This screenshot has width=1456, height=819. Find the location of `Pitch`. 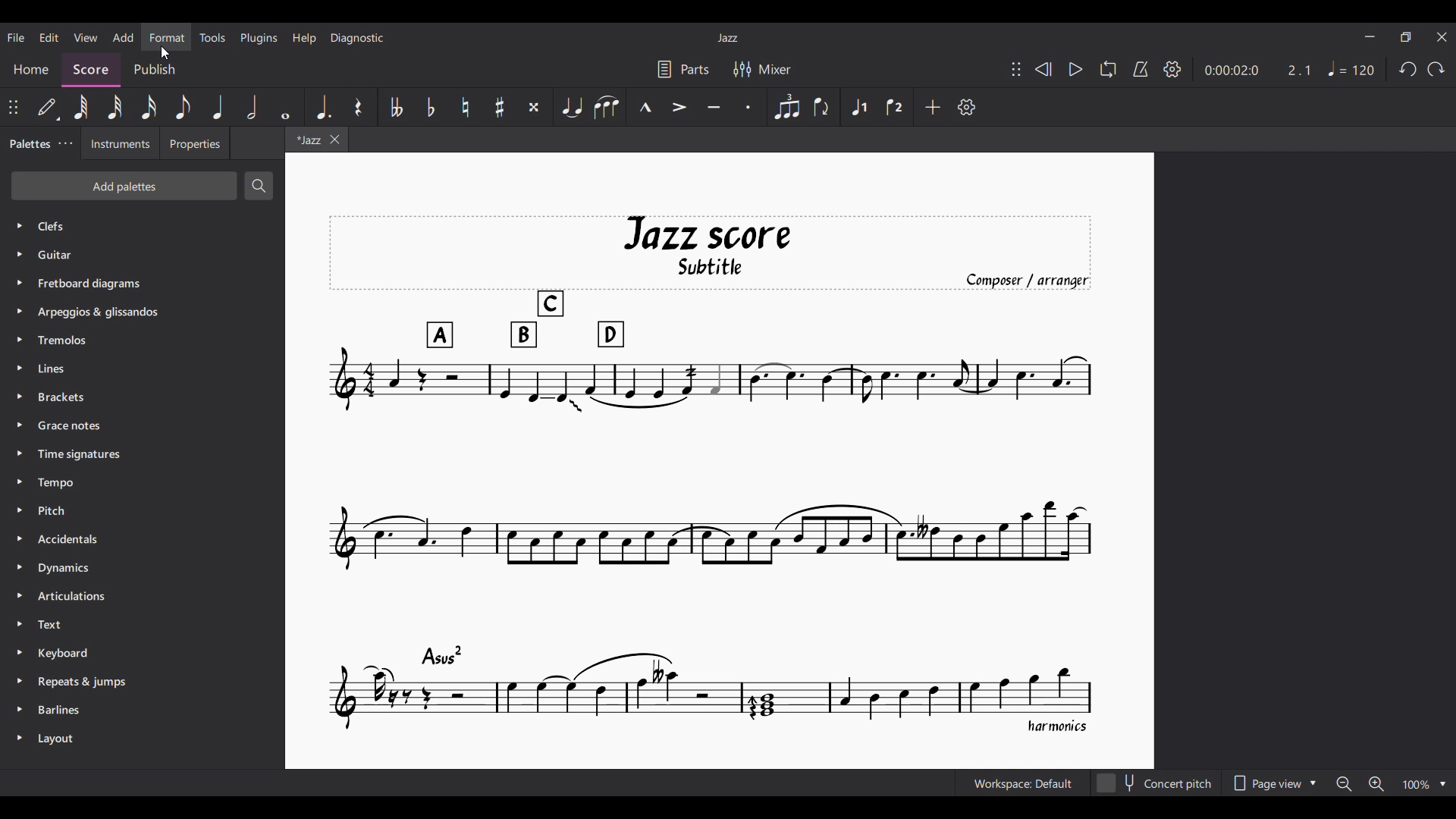

Pitch is located at coordinates (55, 510).